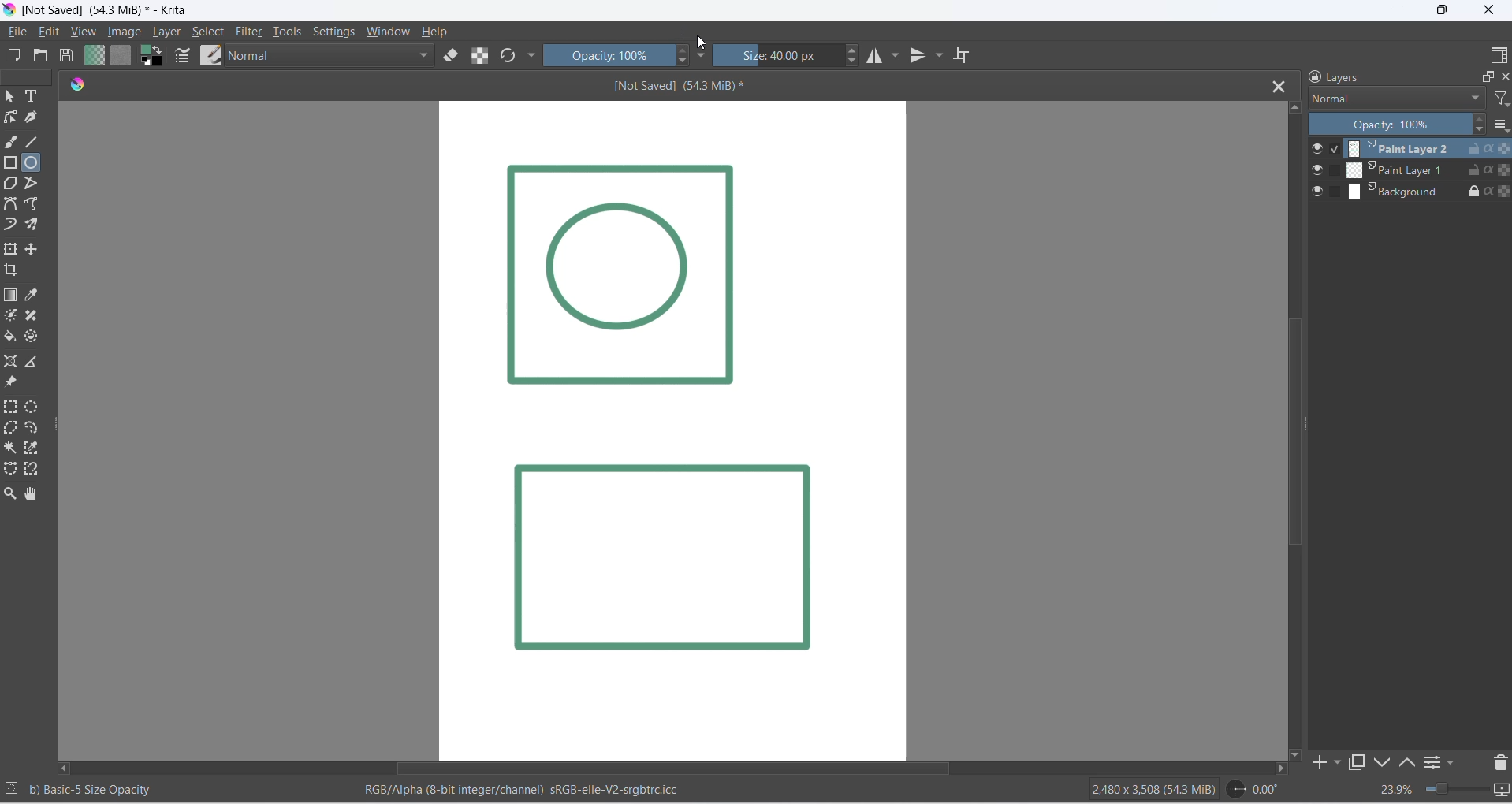 Image resolution: width=1512 pixels, height=804 pixels. What do you see at coordinates (32, 471) in the screenshot?
I see `magnetic curve selection tool` at bounding box center [32, 471].